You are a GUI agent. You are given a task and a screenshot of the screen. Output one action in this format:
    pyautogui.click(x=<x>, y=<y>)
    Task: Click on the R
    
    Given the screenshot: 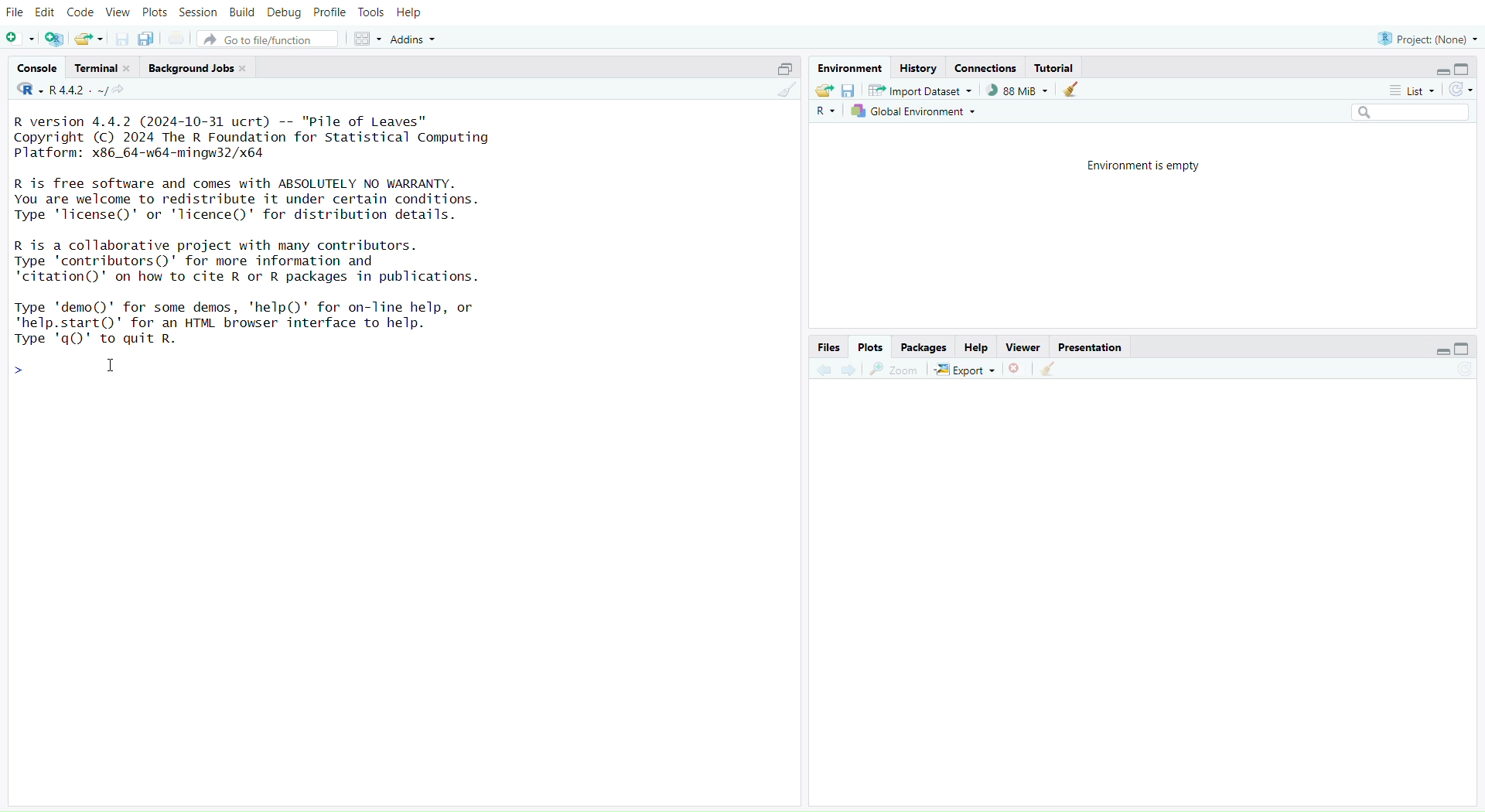 What is the action you would take?
    pyautogui.click(x=824, y=113)
    